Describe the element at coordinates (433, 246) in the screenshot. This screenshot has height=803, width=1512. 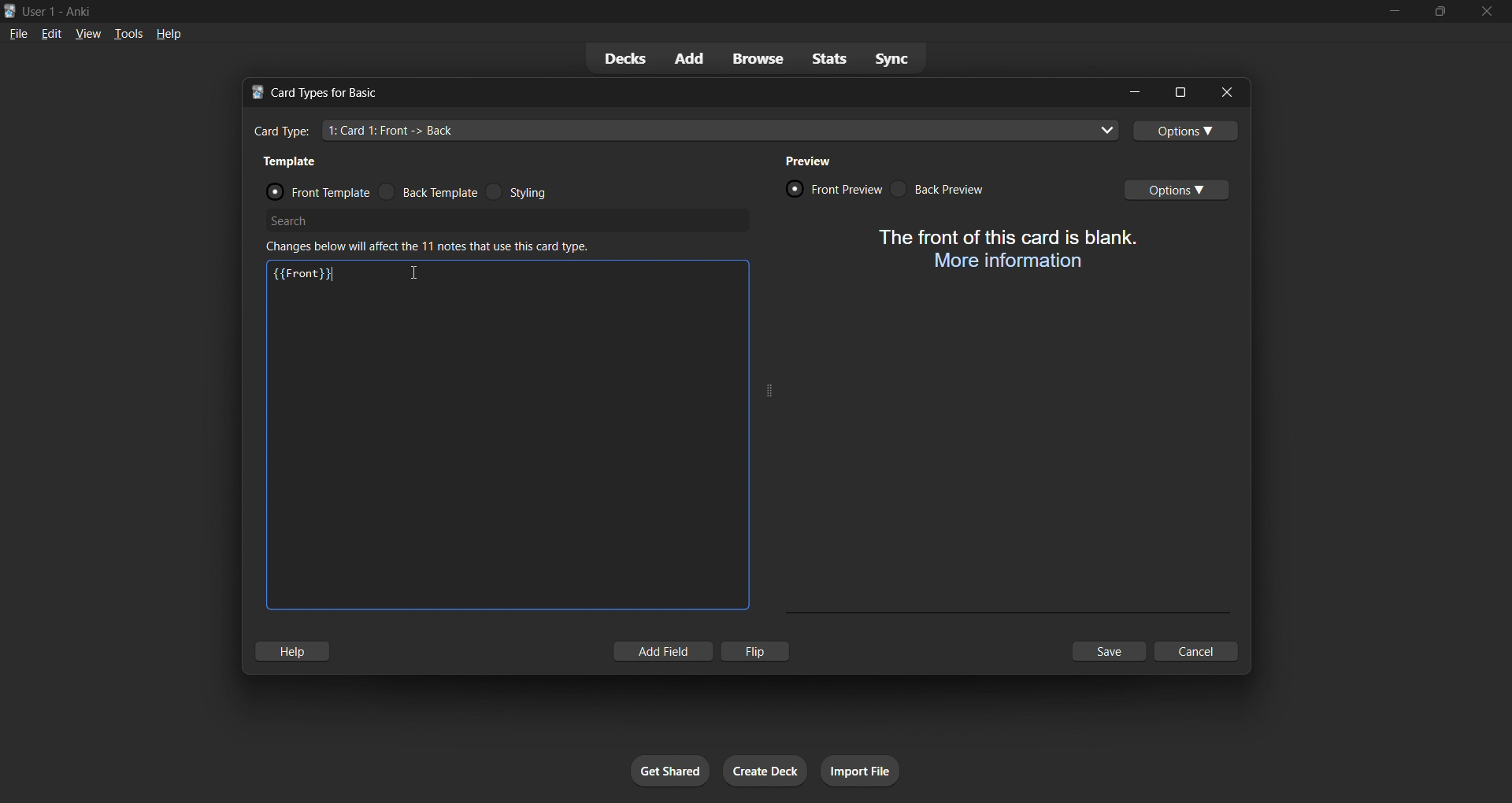
I see `changes below will affect the 11  notes that use this card type.` at that location.